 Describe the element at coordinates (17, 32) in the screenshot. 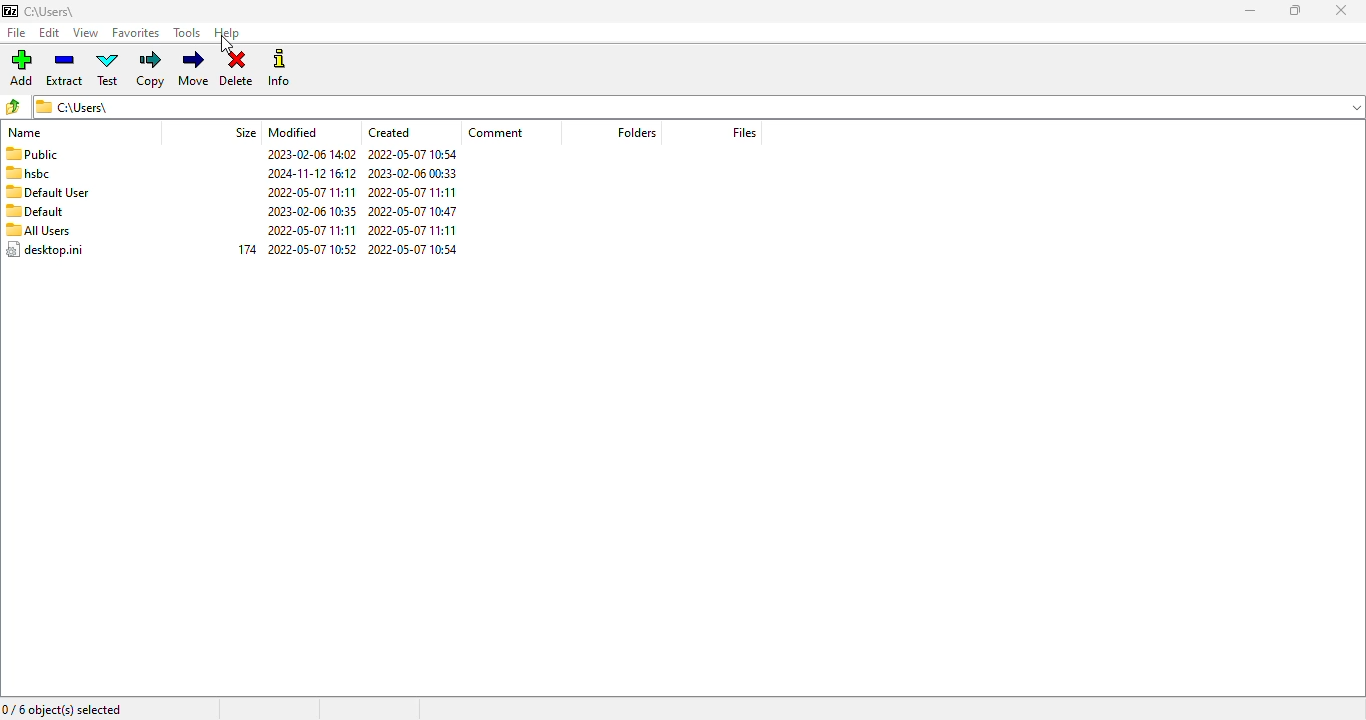

I see `file` at that location.